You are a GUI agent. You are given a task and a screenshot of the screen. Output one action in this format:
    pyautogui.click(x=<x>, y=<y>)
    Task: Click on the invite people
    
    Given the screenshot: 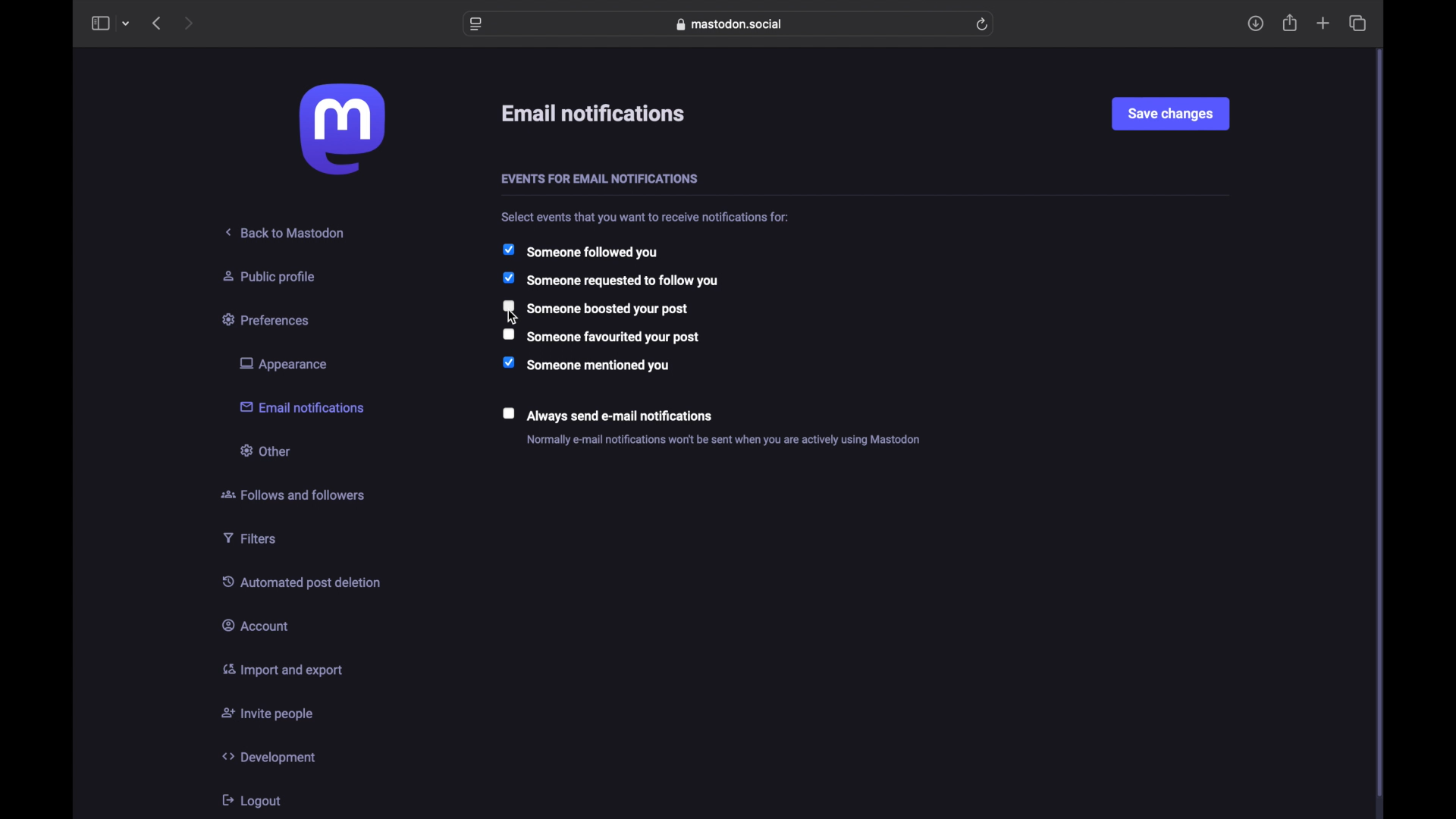 What is the action you would take?
    pyautogui.click(x=268, y=714)
    